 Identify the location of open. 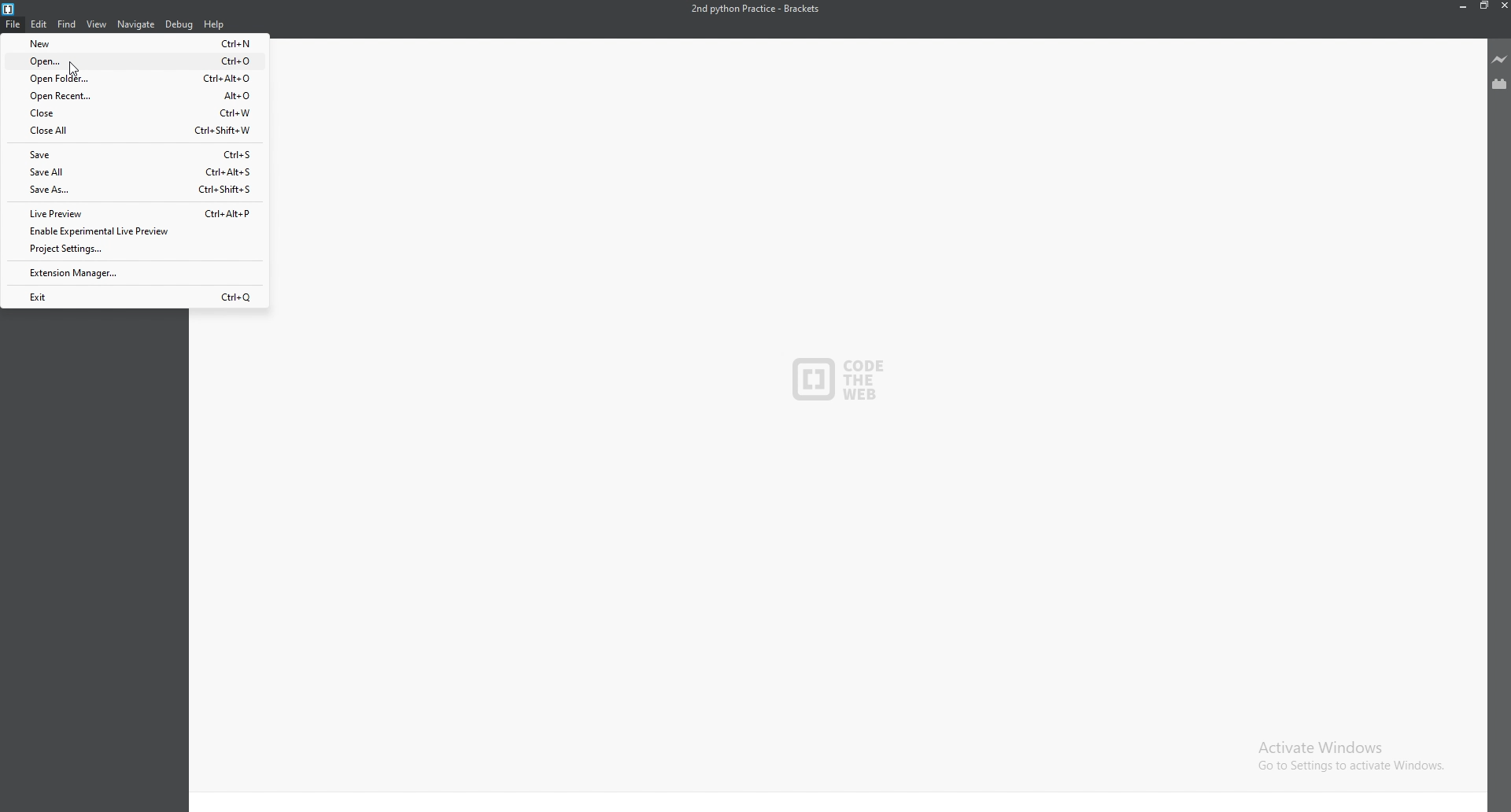
(135, 61).